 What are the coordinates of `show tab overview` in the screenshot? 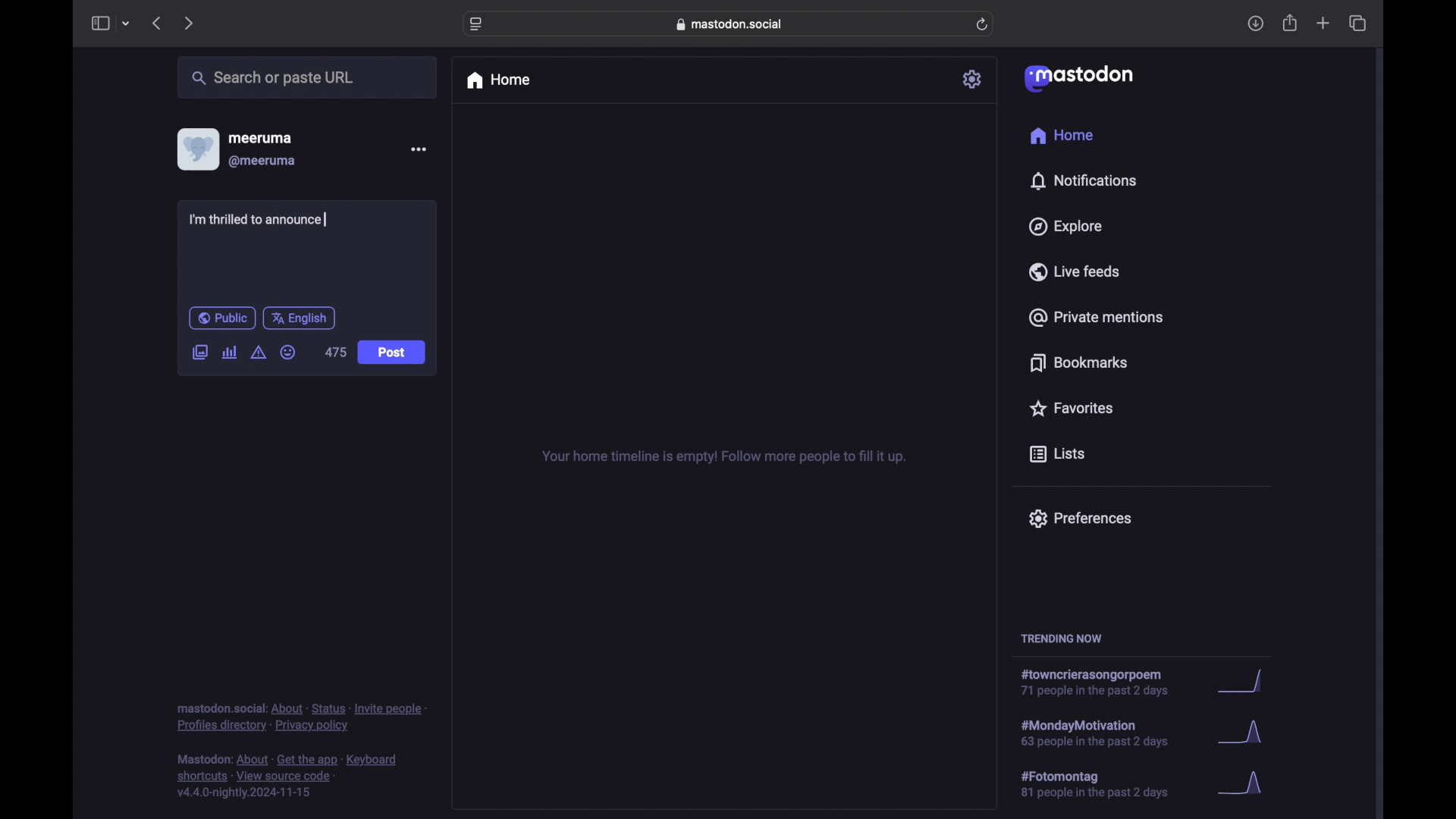 It's located at (1359, 23).